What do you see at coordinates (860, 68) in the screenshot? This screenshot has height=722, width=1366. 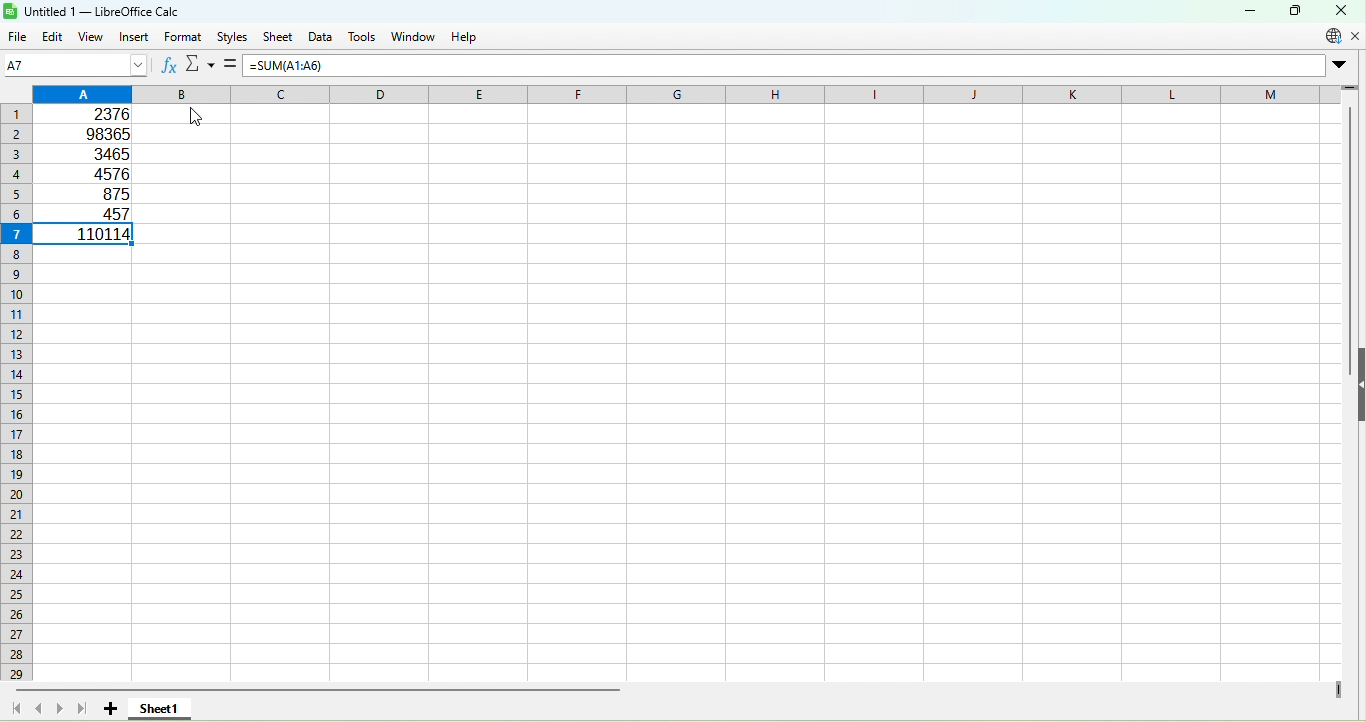 I see `formula bar` at bounding box center [860, 68].